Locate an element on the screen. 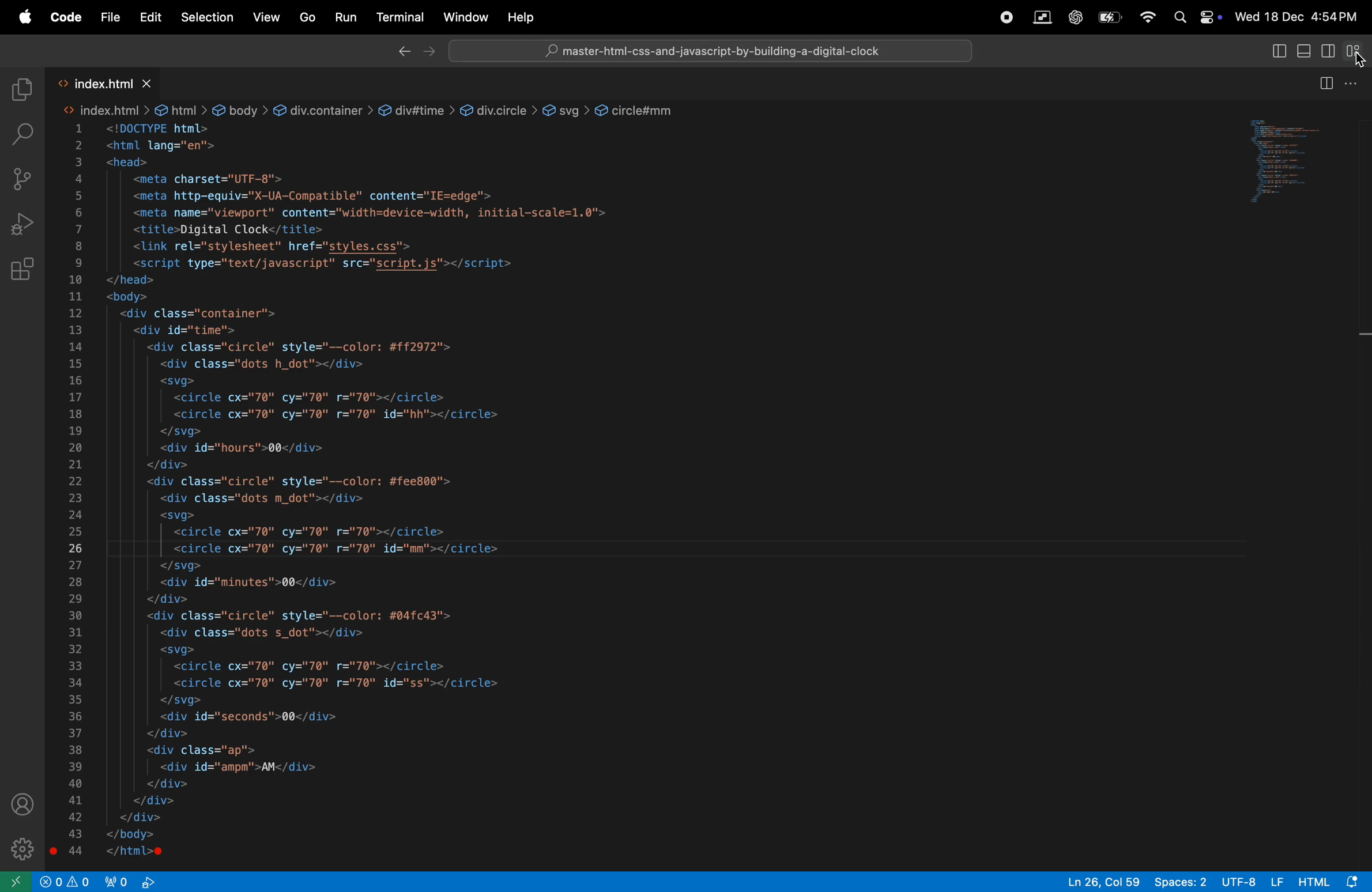 The image size is (1372, 892). Wed 18 Dec 4:54PM is located at coordinates (1298, 16).